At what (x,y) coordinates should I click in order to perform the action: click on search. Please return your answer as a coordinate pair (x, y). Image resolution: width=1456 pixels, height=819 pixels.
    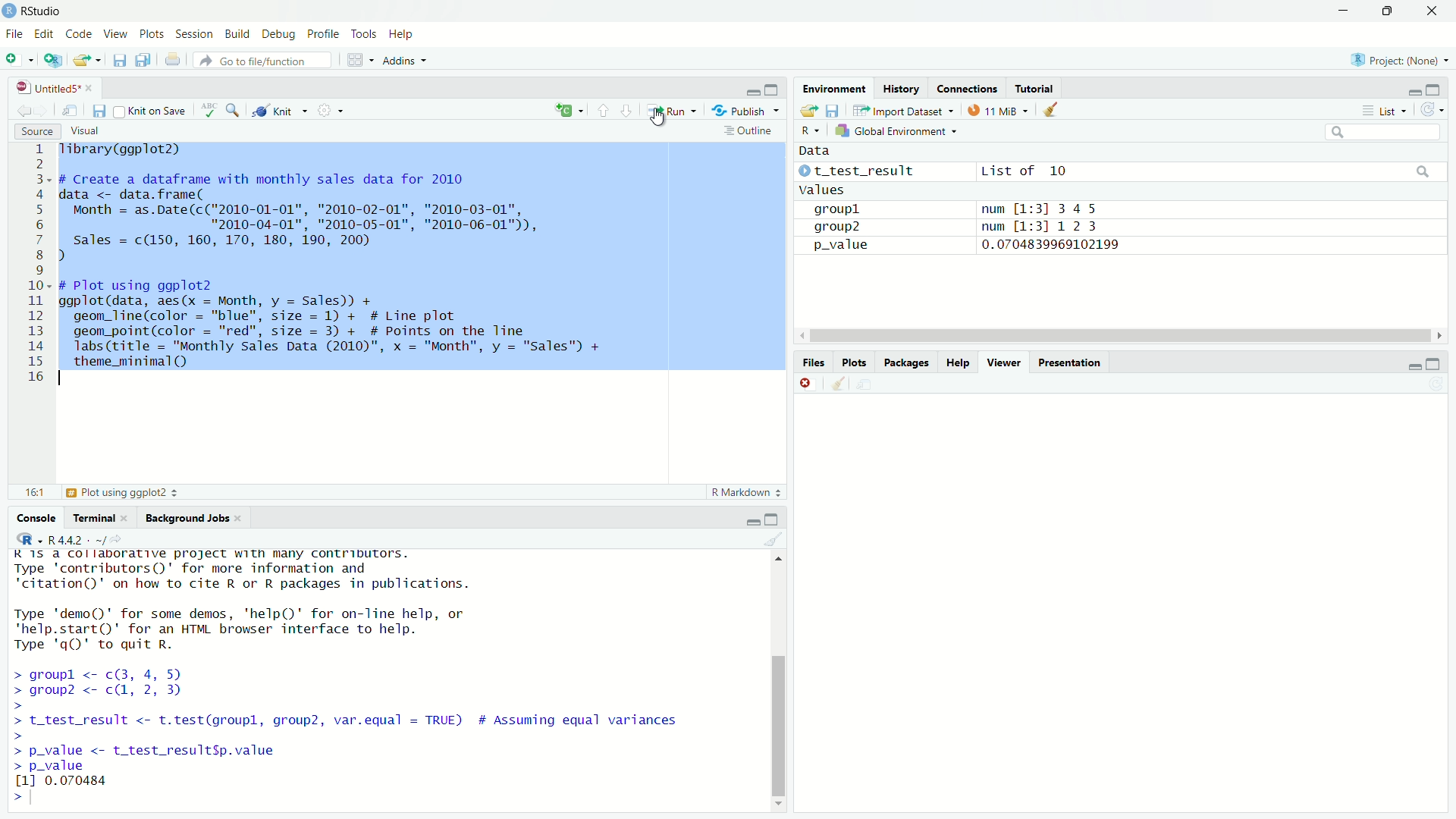
    Looking at the image, I should click on (234, 111).